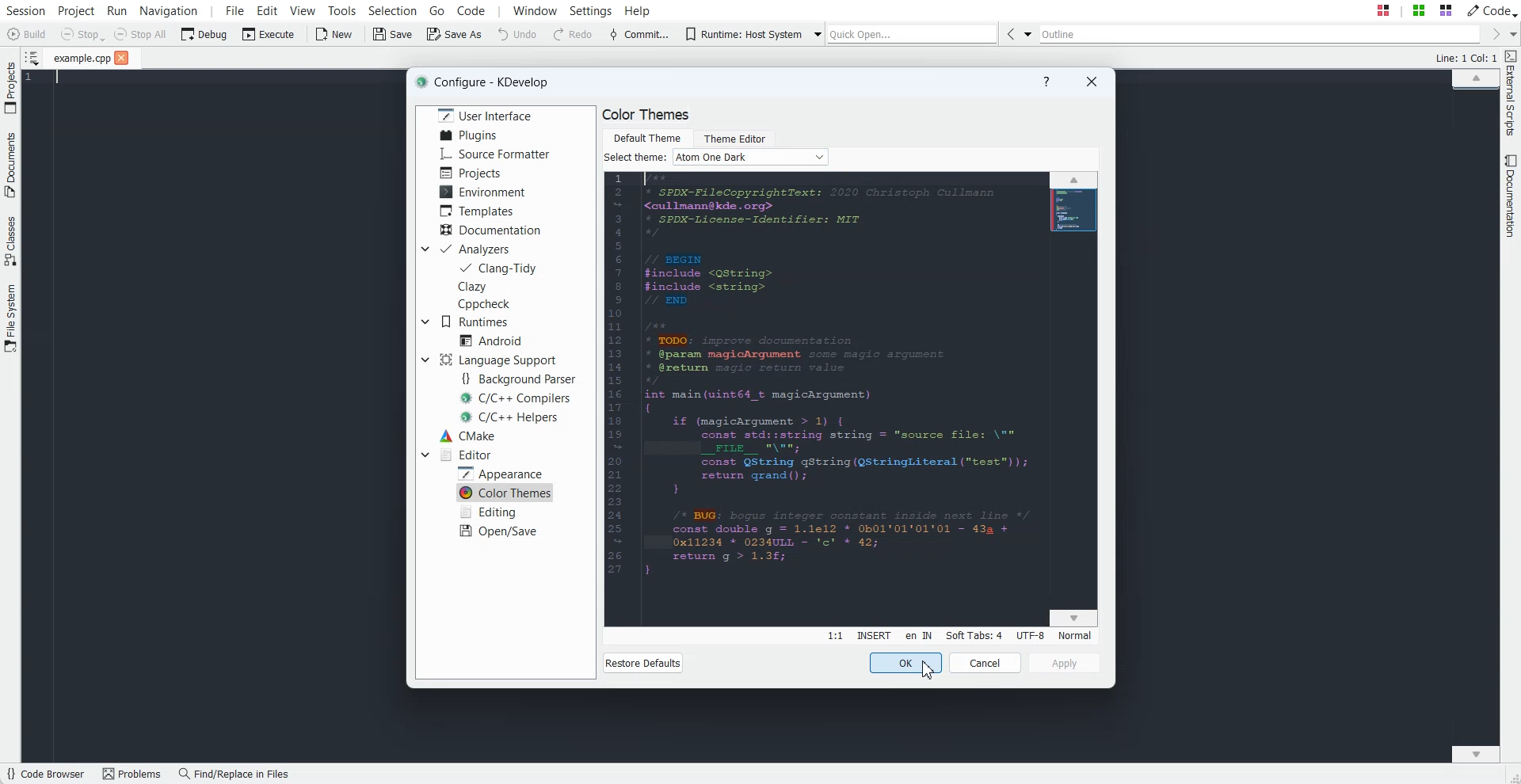  Describe the element at coordinates (638, 36) in the screenshot. I see `Commit` at that location.